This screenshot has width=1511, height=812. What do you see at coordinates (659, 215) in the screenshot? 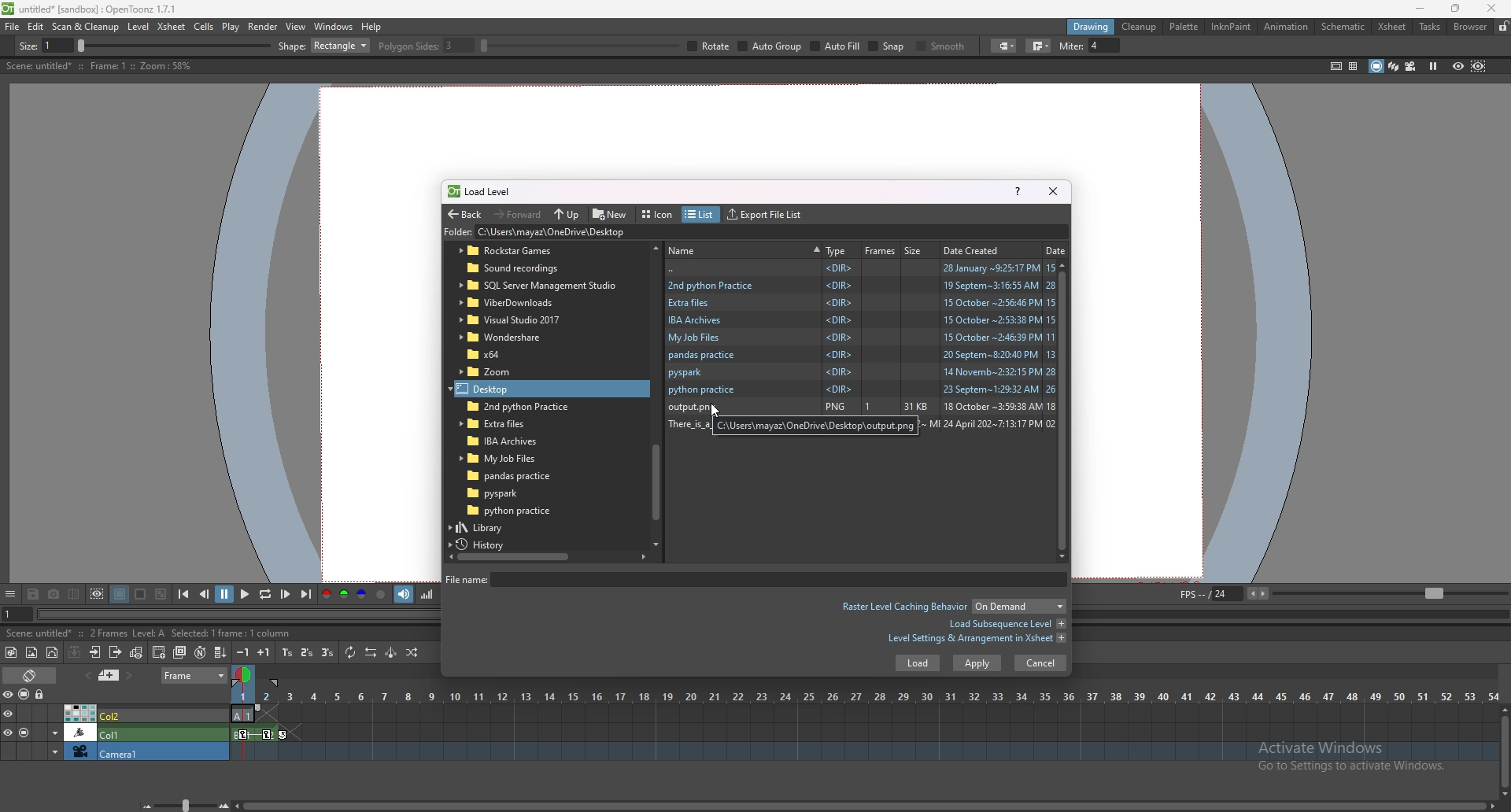
I see `icon` at bounding box center [659, 215].